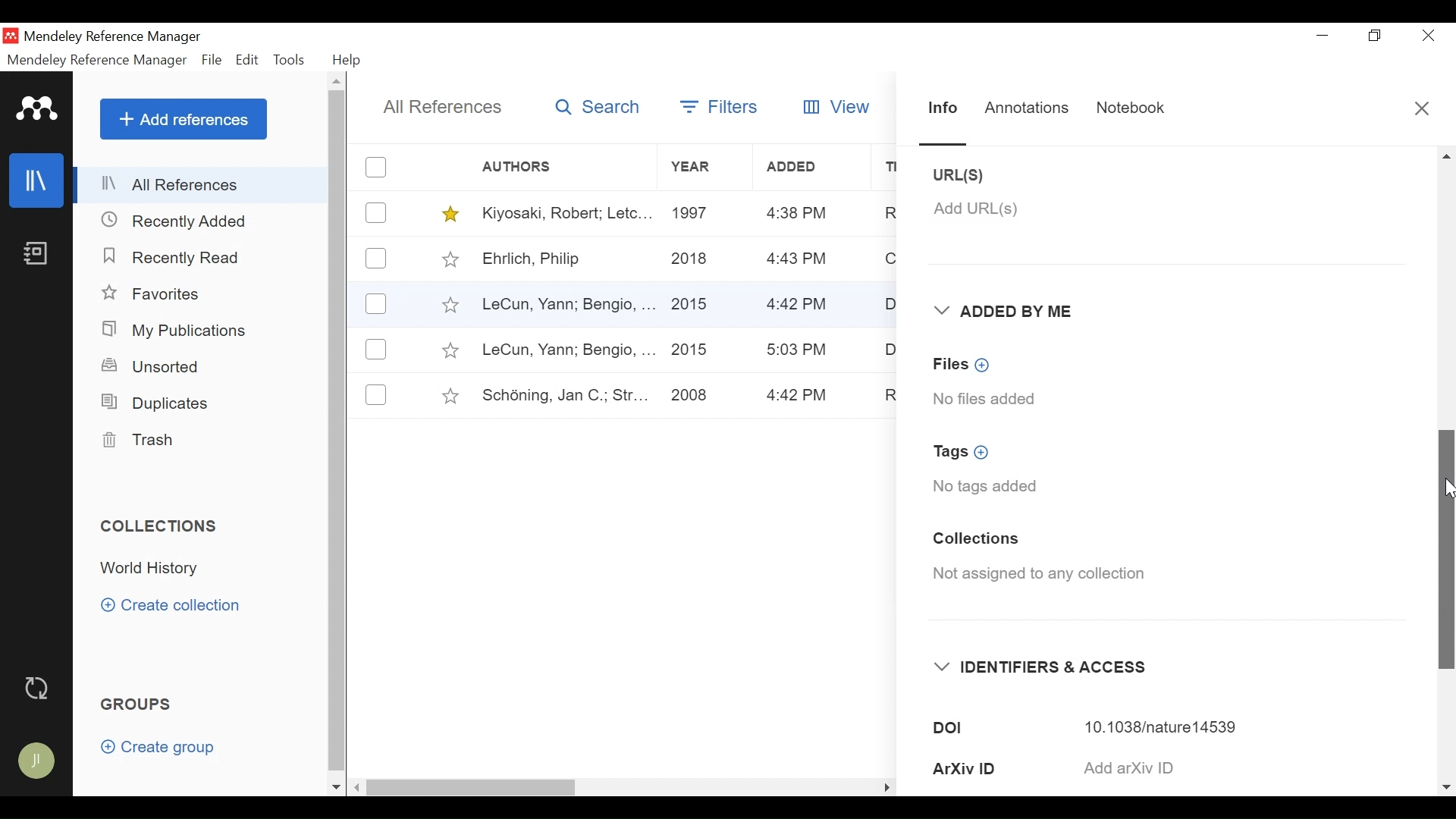 Image resolution: width=1456 pixels, height=819 pixels. I want to click on (un)select, so click(376, 305).